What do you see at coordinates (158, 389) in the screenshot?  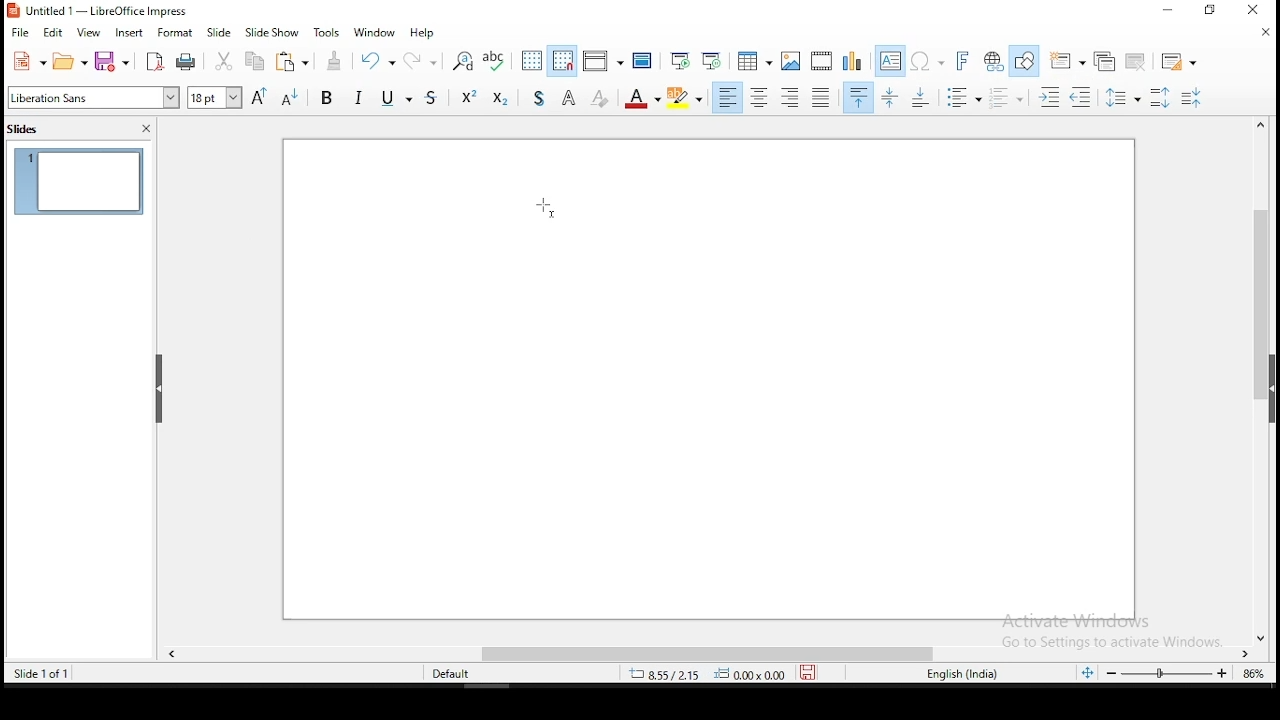 I see `close pane` at bounding box center [158, 389].